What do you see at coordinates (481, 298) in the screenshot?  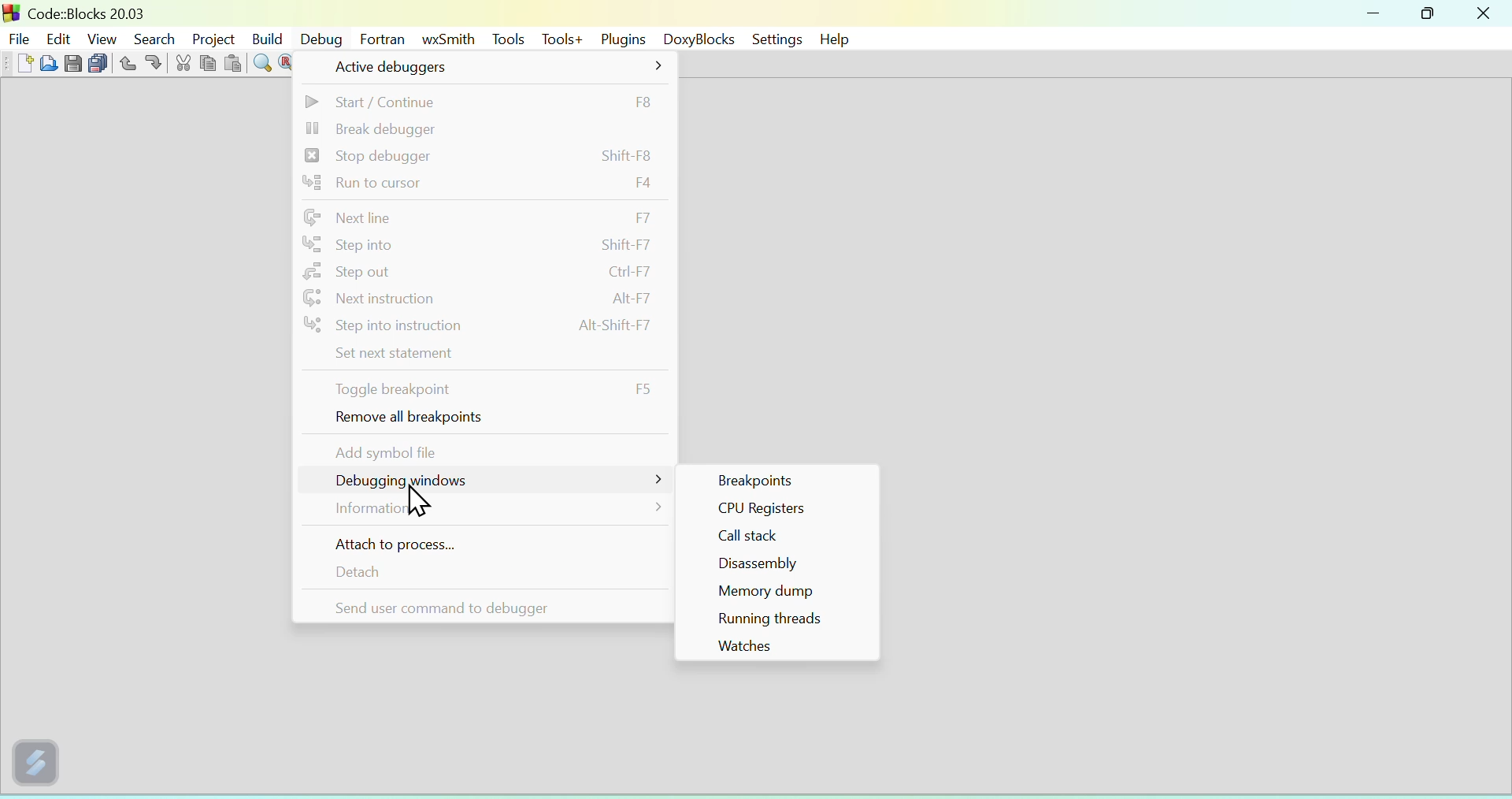 I see `next instruction` at bounding box center [481, 298].